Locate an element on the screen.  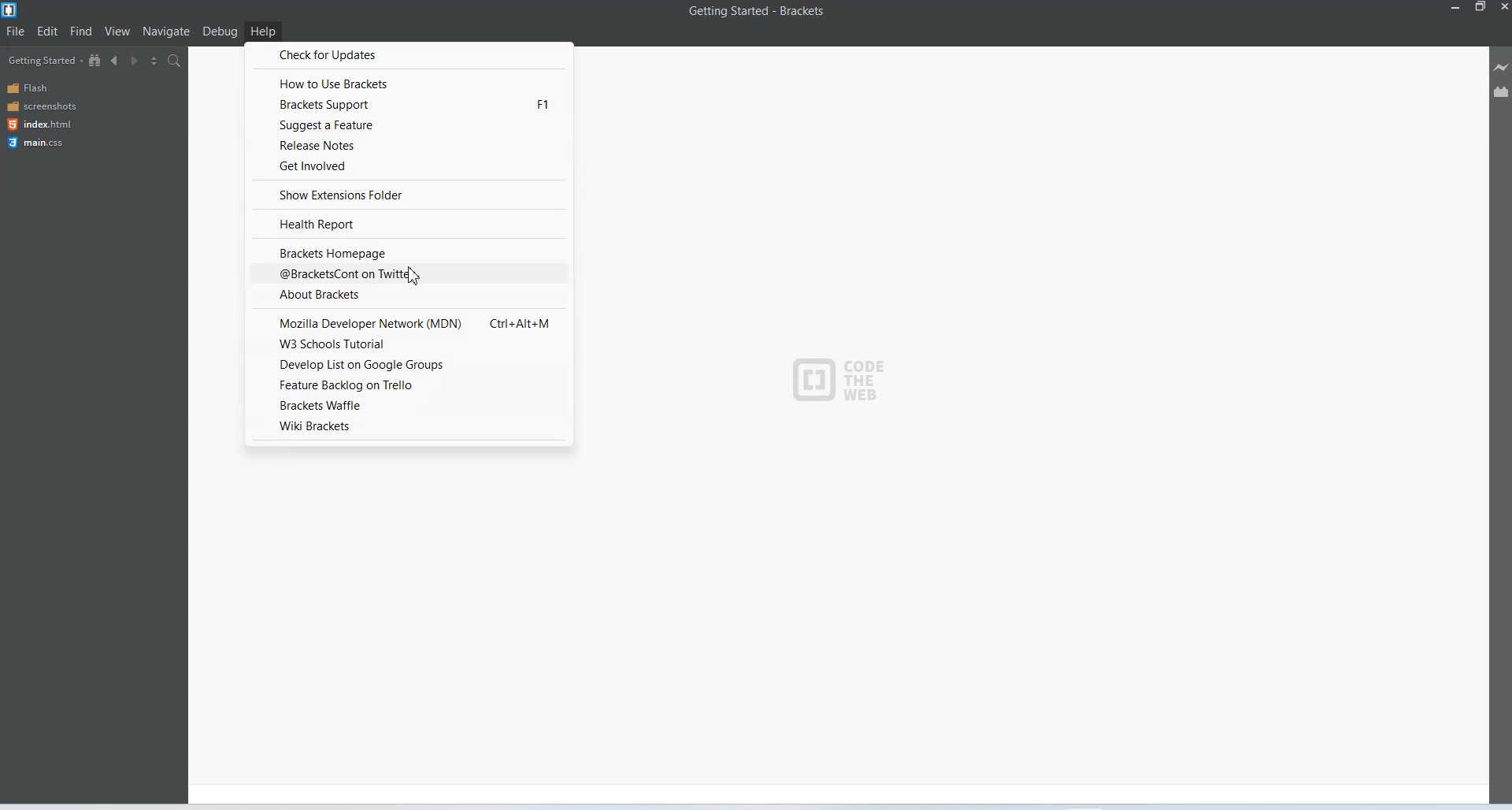
Show in file Tree is located at coordinates (96, 61).